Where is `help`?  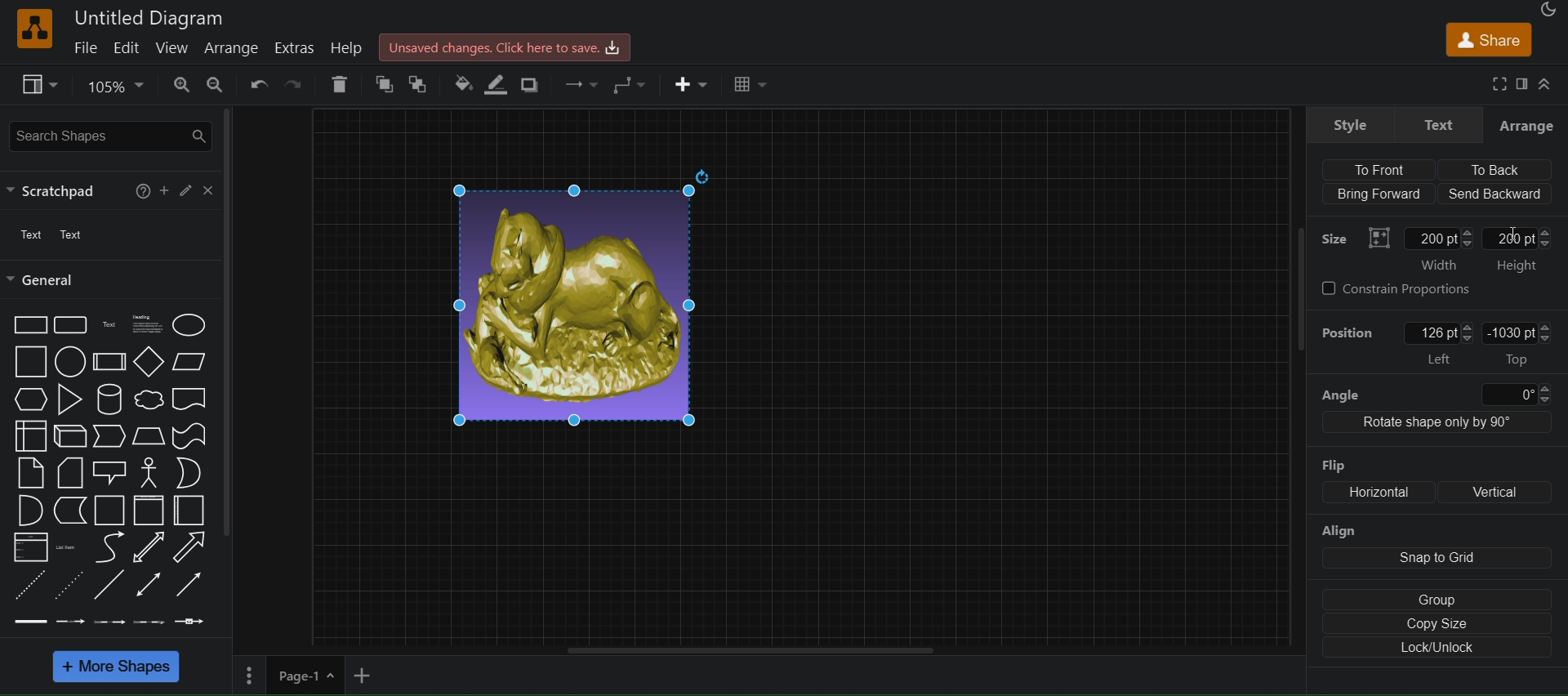
help is located at coordinates (140, 190).